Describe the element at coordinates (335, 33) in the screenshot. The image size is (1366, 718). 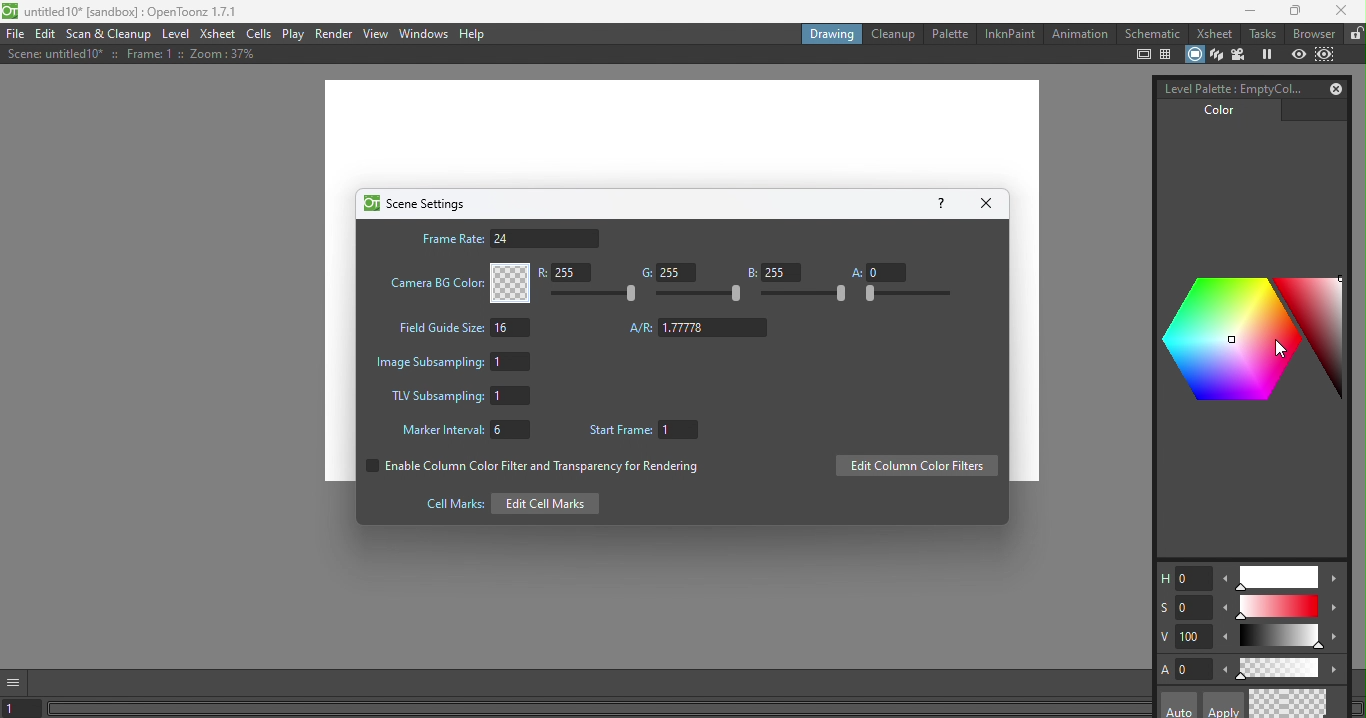
I see `Render` at that location.